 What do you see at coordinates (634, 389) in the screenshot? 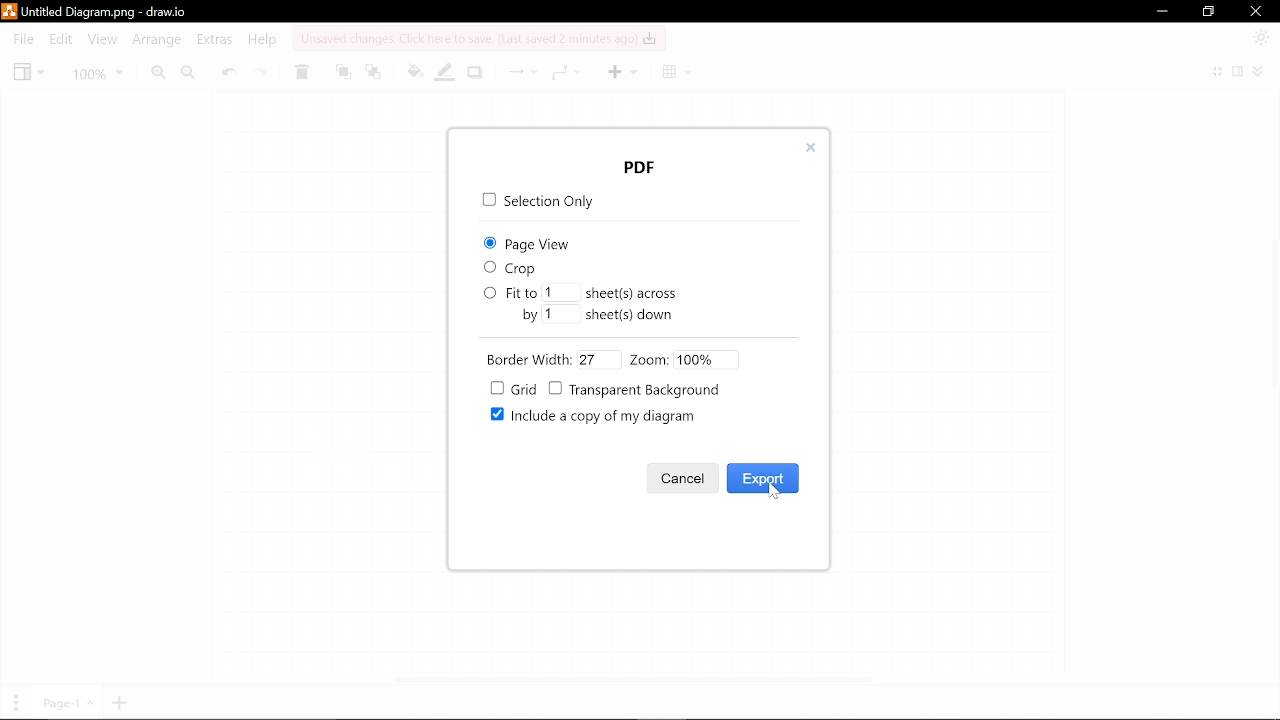
I see `Transparent Background` at bounding box center [634, 389].